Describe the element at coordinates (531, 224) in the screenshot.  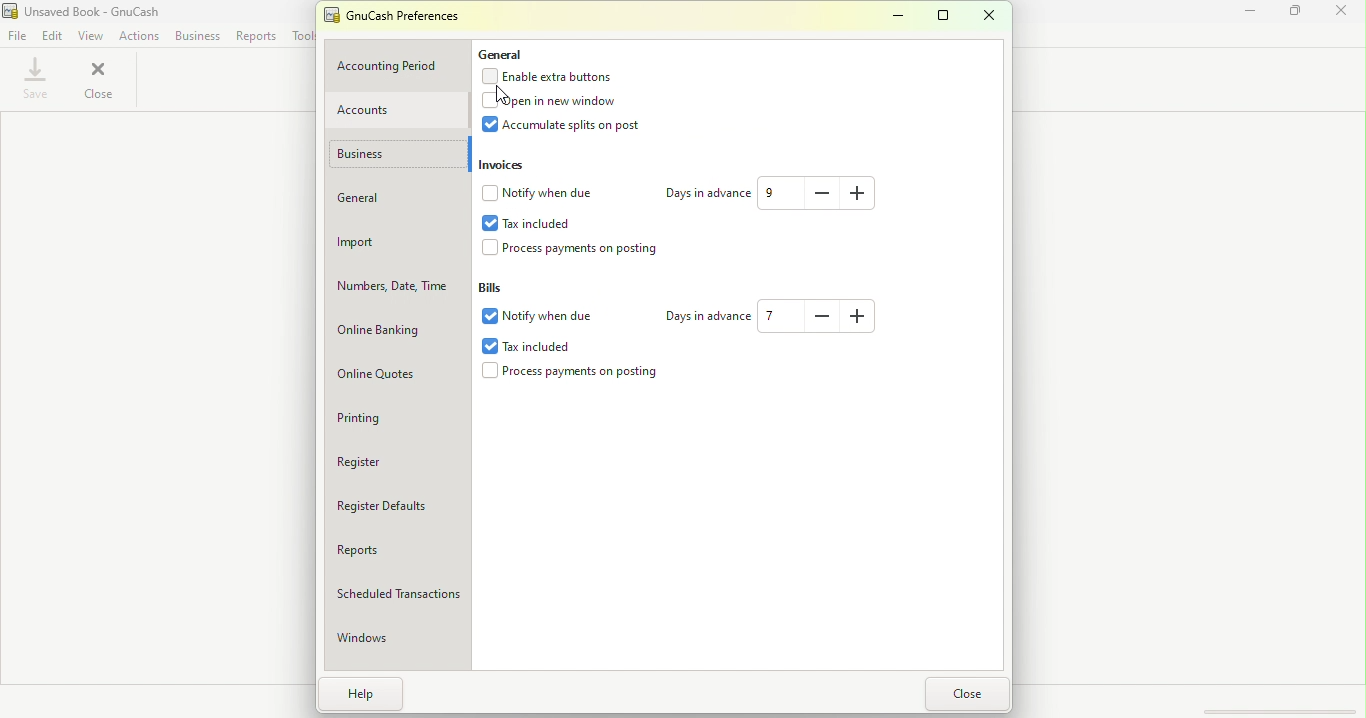
I see `Tax included` at that location.